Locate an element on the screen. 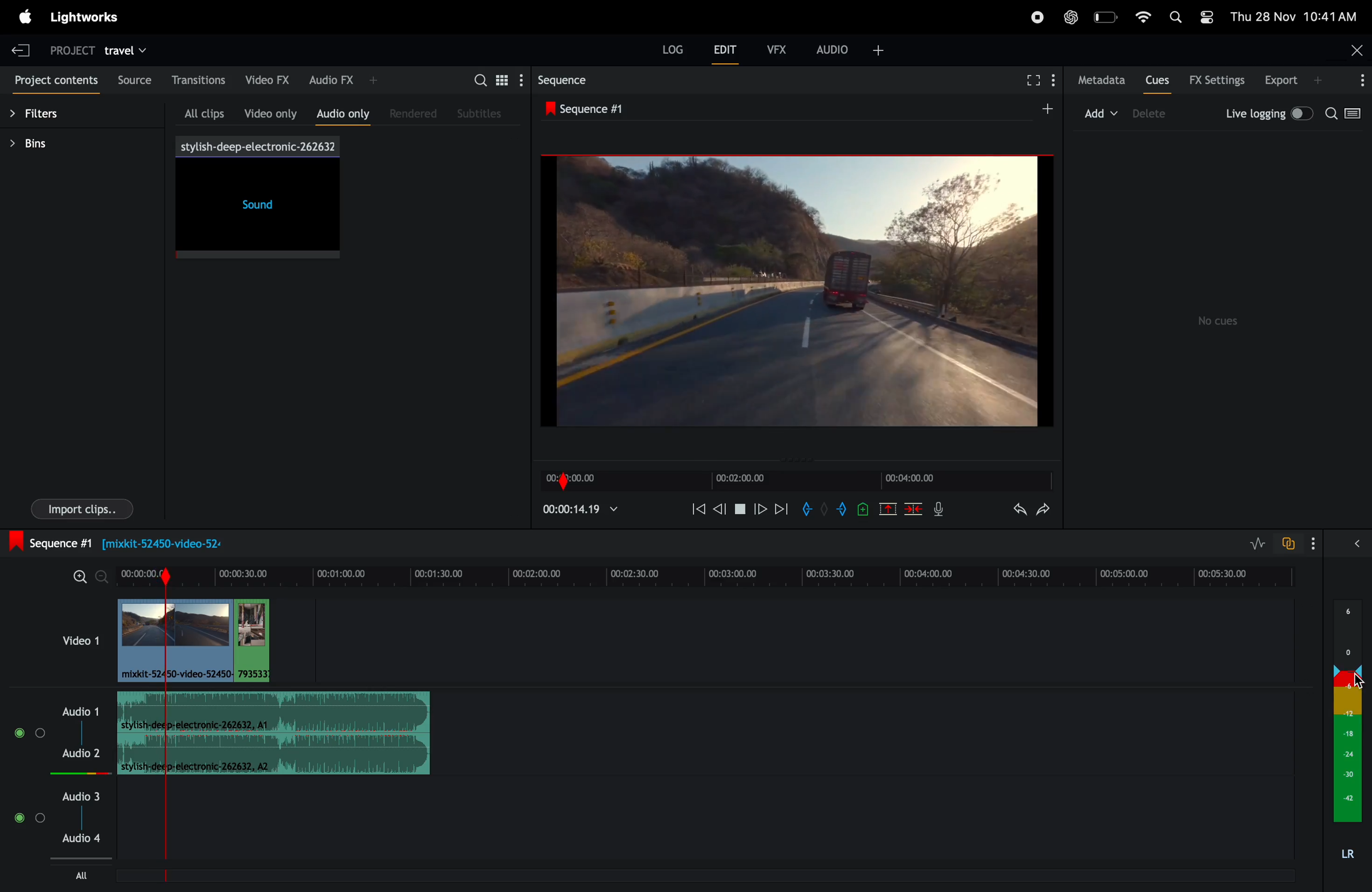 This screenshot has height=892, width=1372. pause play is located at coordinates (740, 507).